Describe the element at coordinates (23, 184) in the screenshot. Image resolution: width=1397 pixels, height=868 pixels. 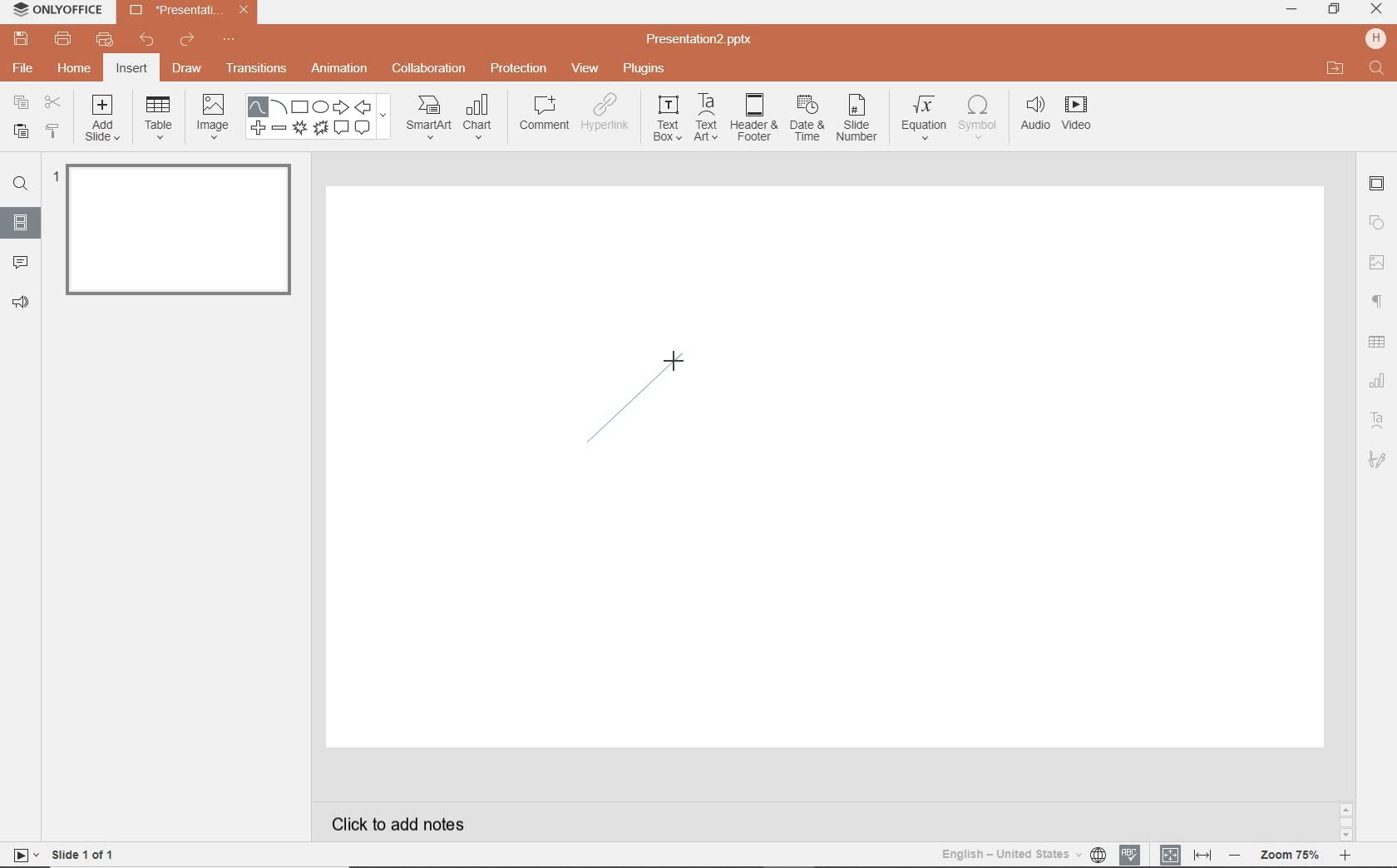
I see `FIND` at that location.